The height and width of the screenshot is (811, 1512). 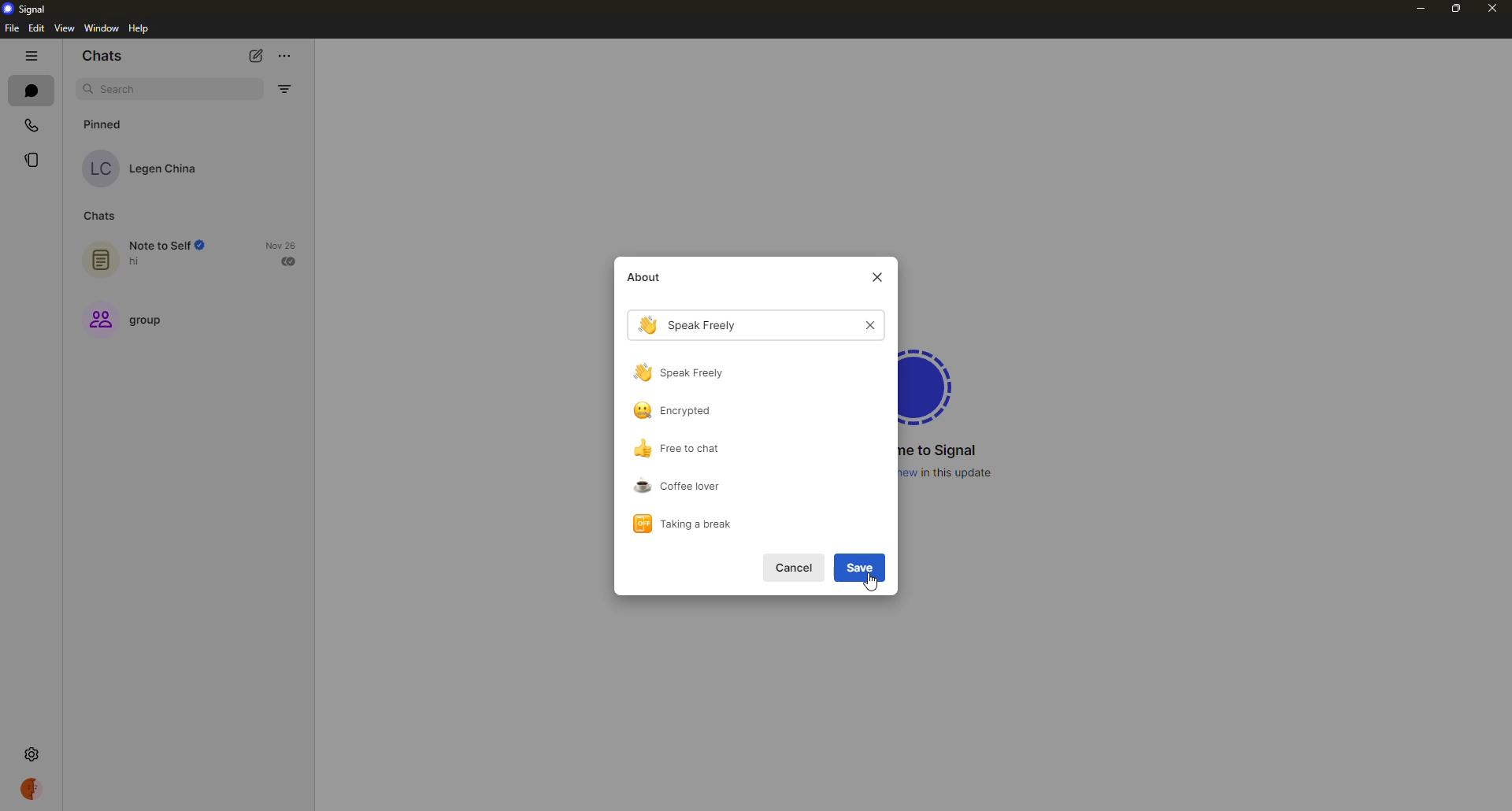 What do you see at coordinates (280, 245) in the screenshot?
I see `date` at bounding box center [280, 245].